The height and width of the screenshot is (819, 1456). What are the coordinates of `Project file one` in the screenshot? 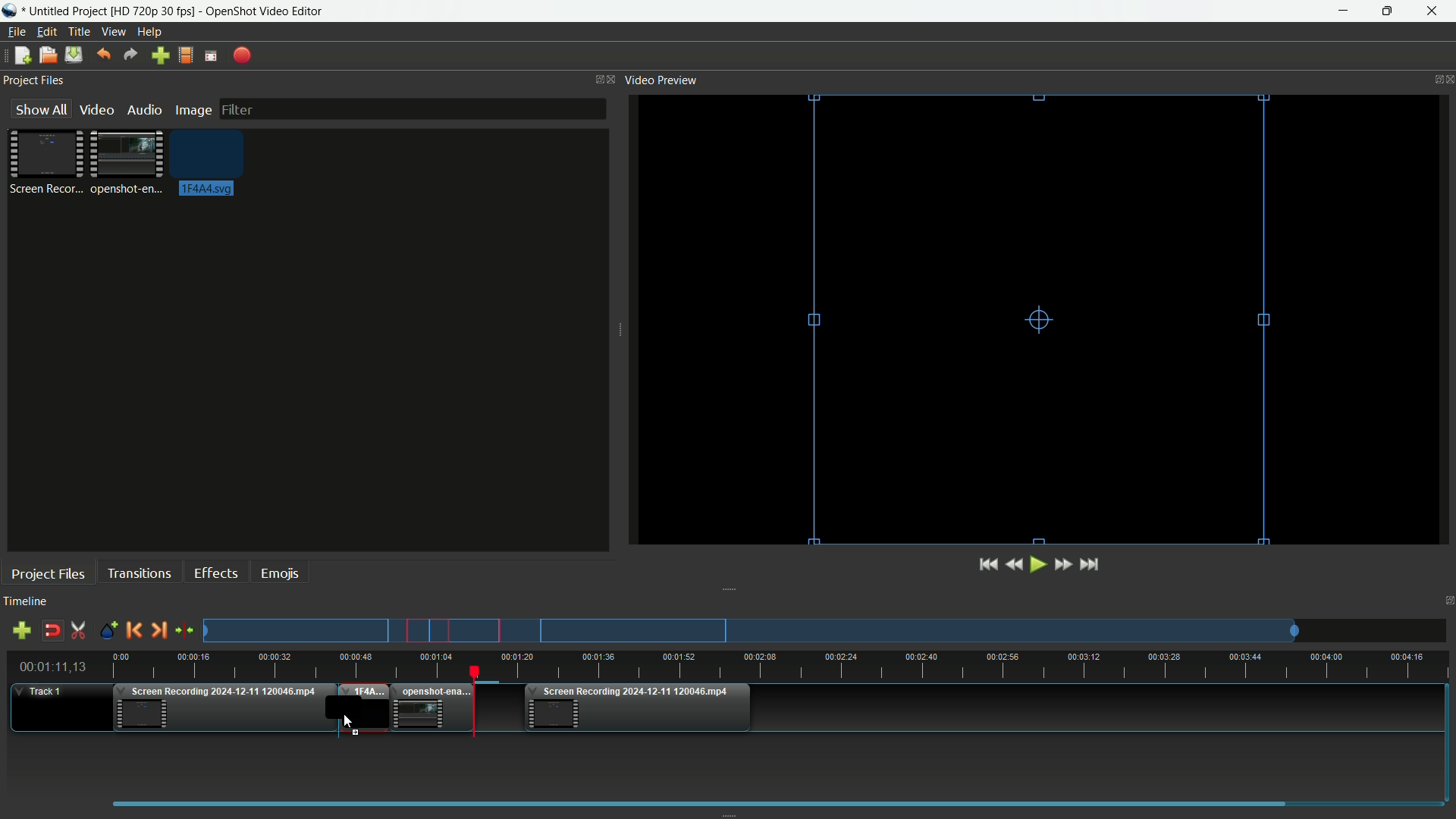 It's located at (49, 161).